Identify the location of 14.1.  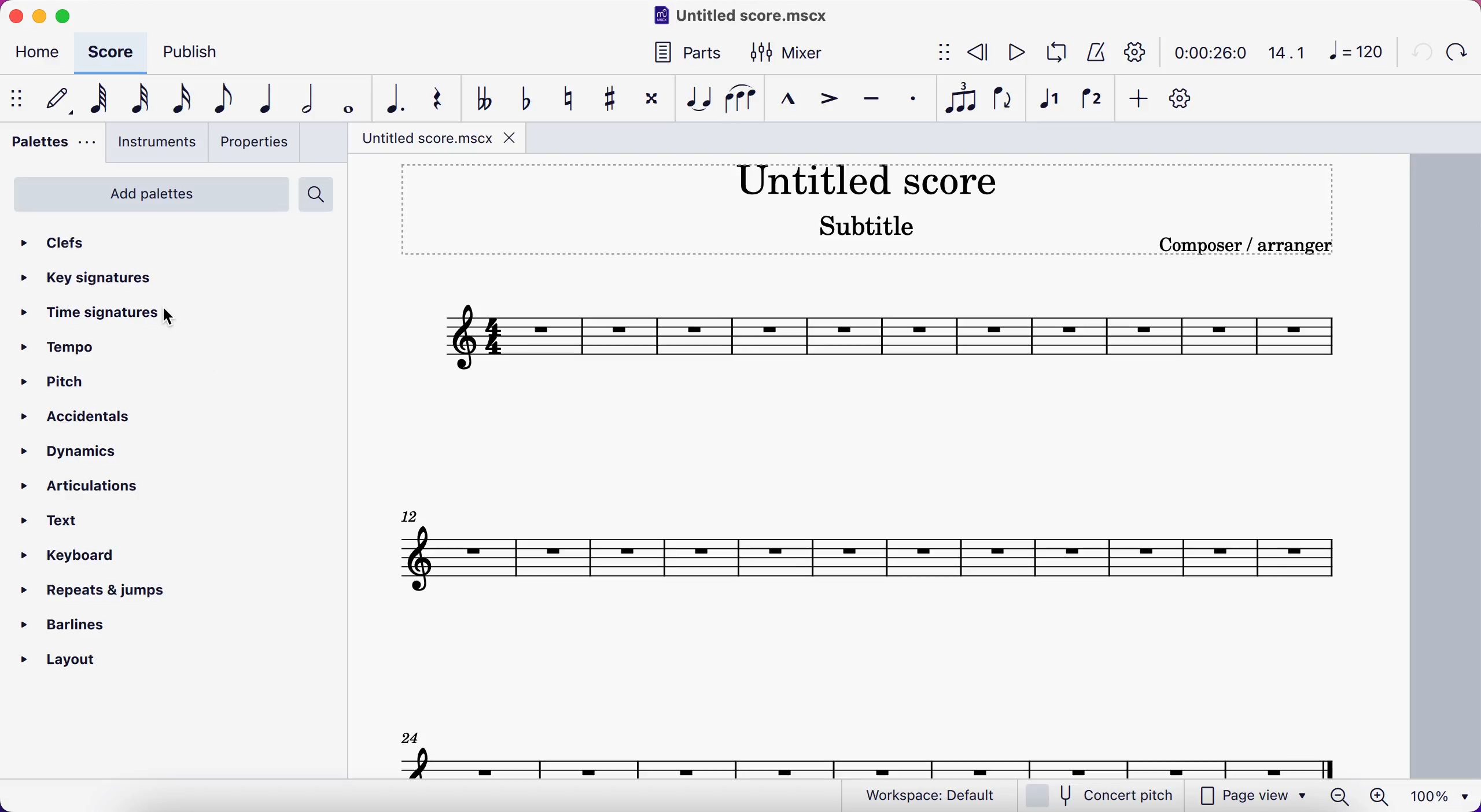
(1281, 53).